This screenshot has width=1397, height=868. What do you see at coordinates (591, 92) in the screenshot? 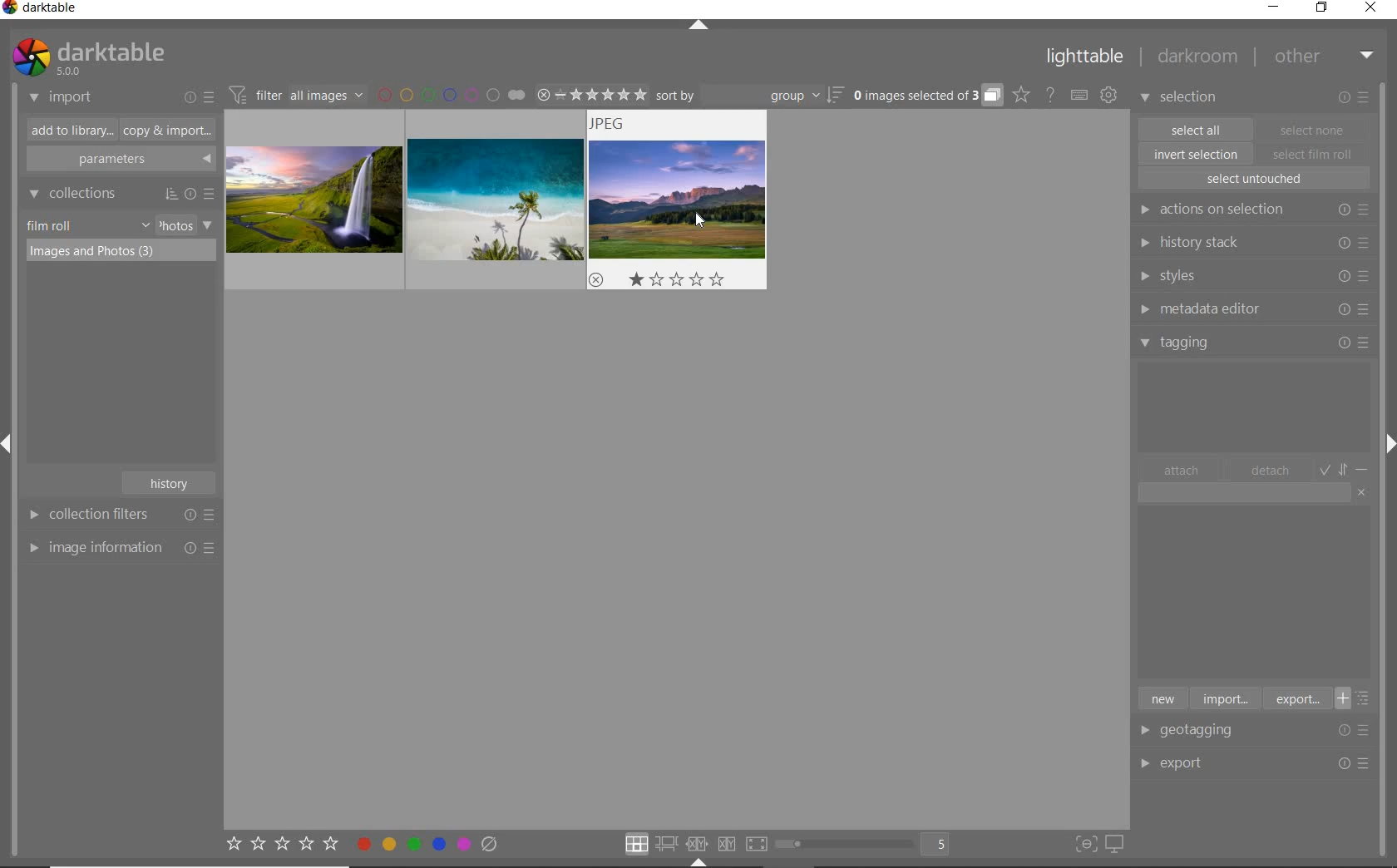
I see `range ratings of selected images` at bounding box center [591, 92].